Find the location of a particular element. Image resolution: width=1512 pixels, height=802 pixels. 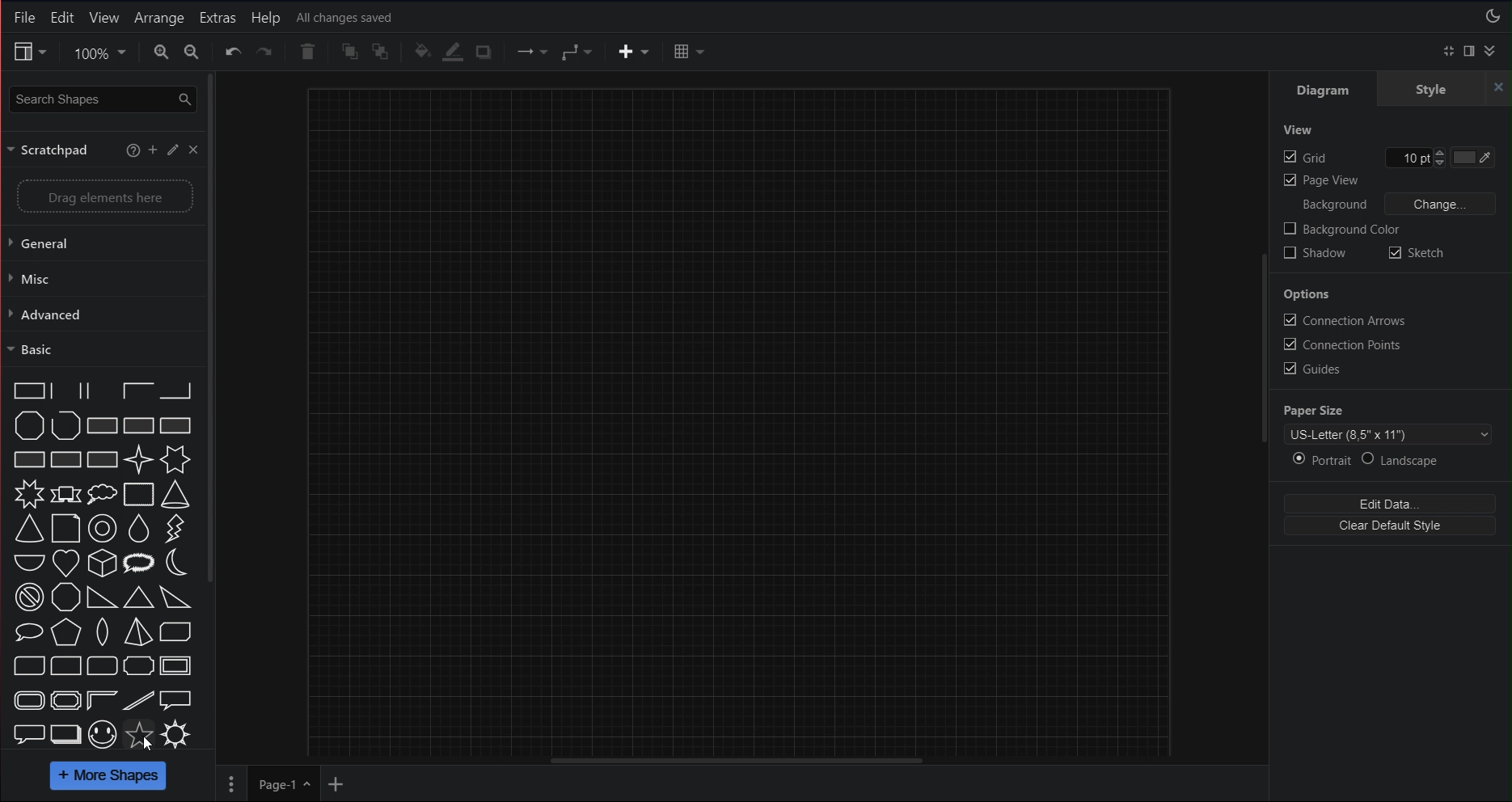

moon is located at coordinates (175, 563).